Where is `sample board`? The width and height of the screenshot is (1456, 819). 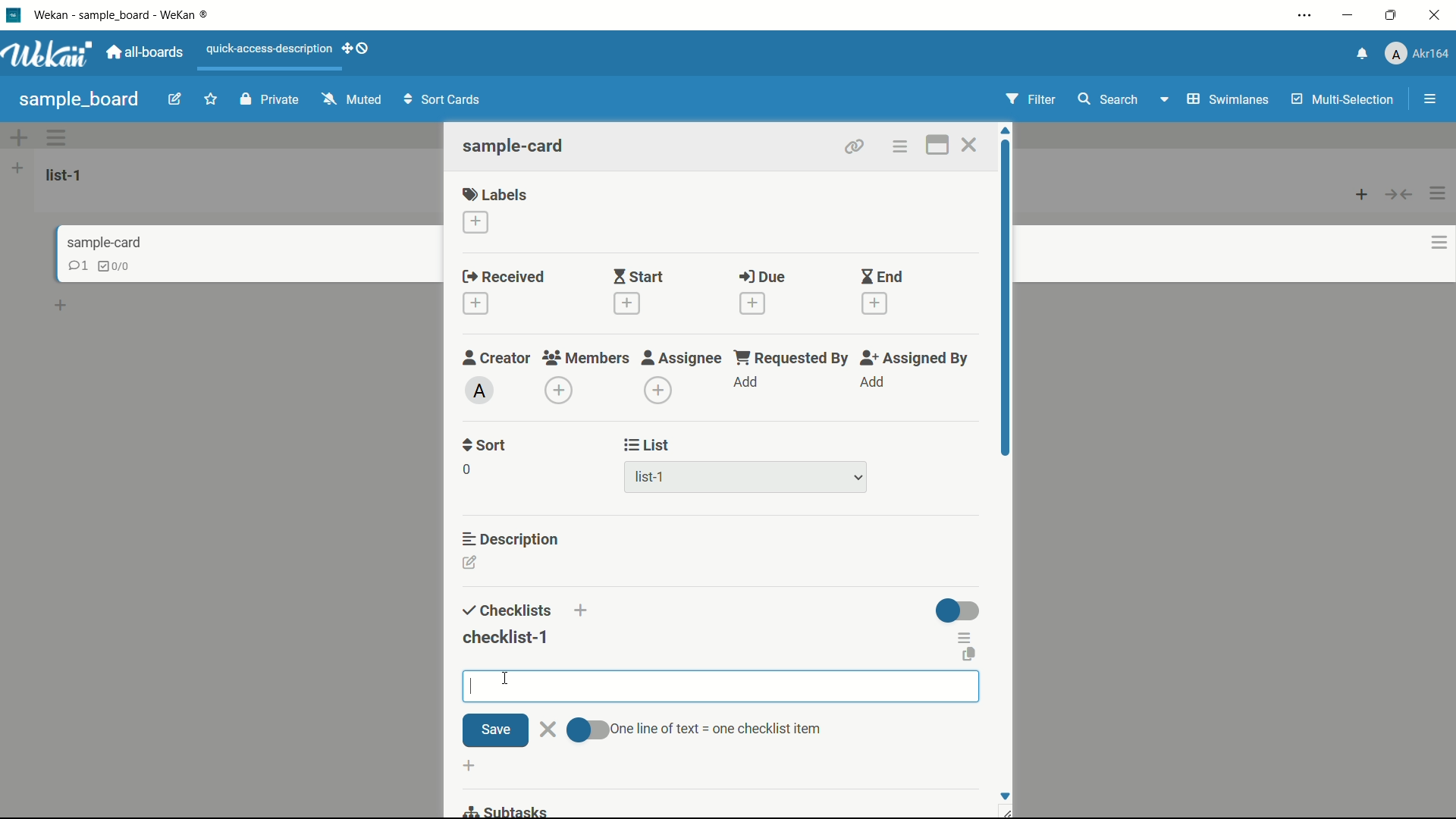 sample board is located at coordinates (78, 99).